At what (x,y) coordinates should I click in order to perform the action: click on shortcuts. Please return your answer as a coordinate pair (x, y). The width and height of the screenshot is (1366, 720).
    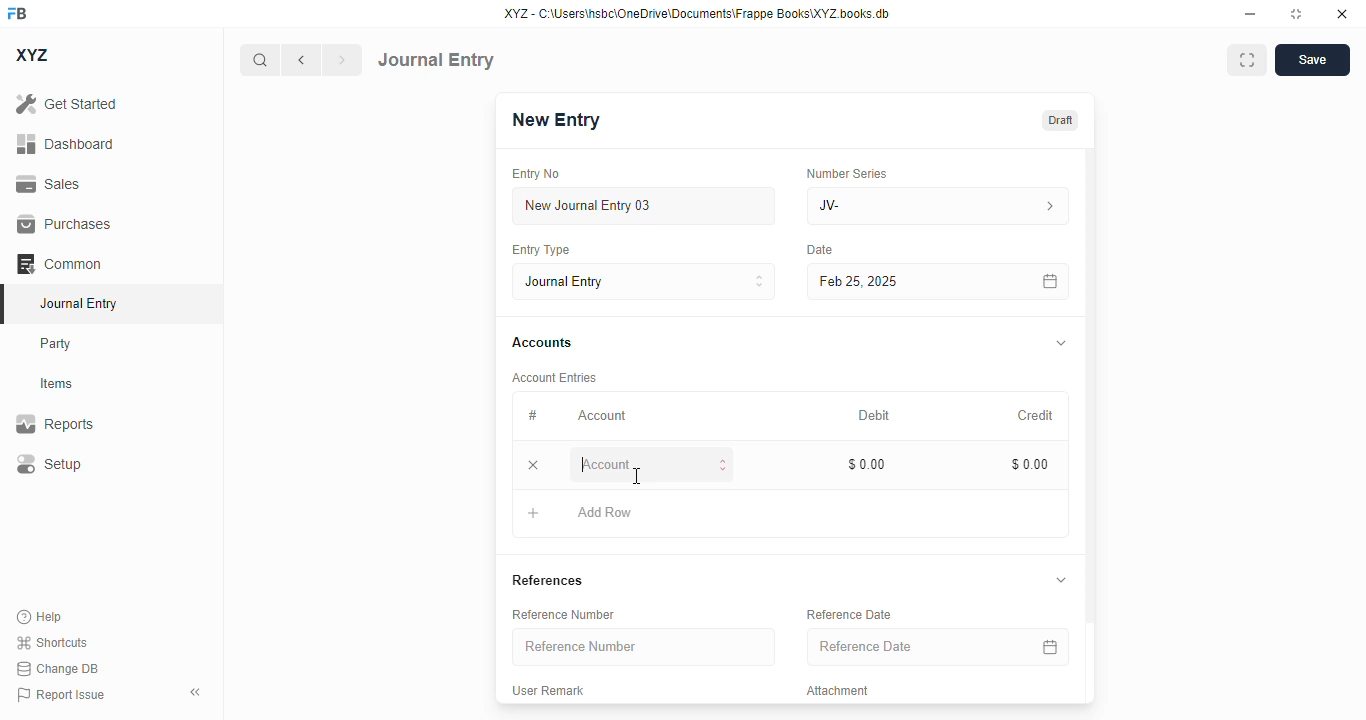
    Looking at the image, I should click on (51, 642).